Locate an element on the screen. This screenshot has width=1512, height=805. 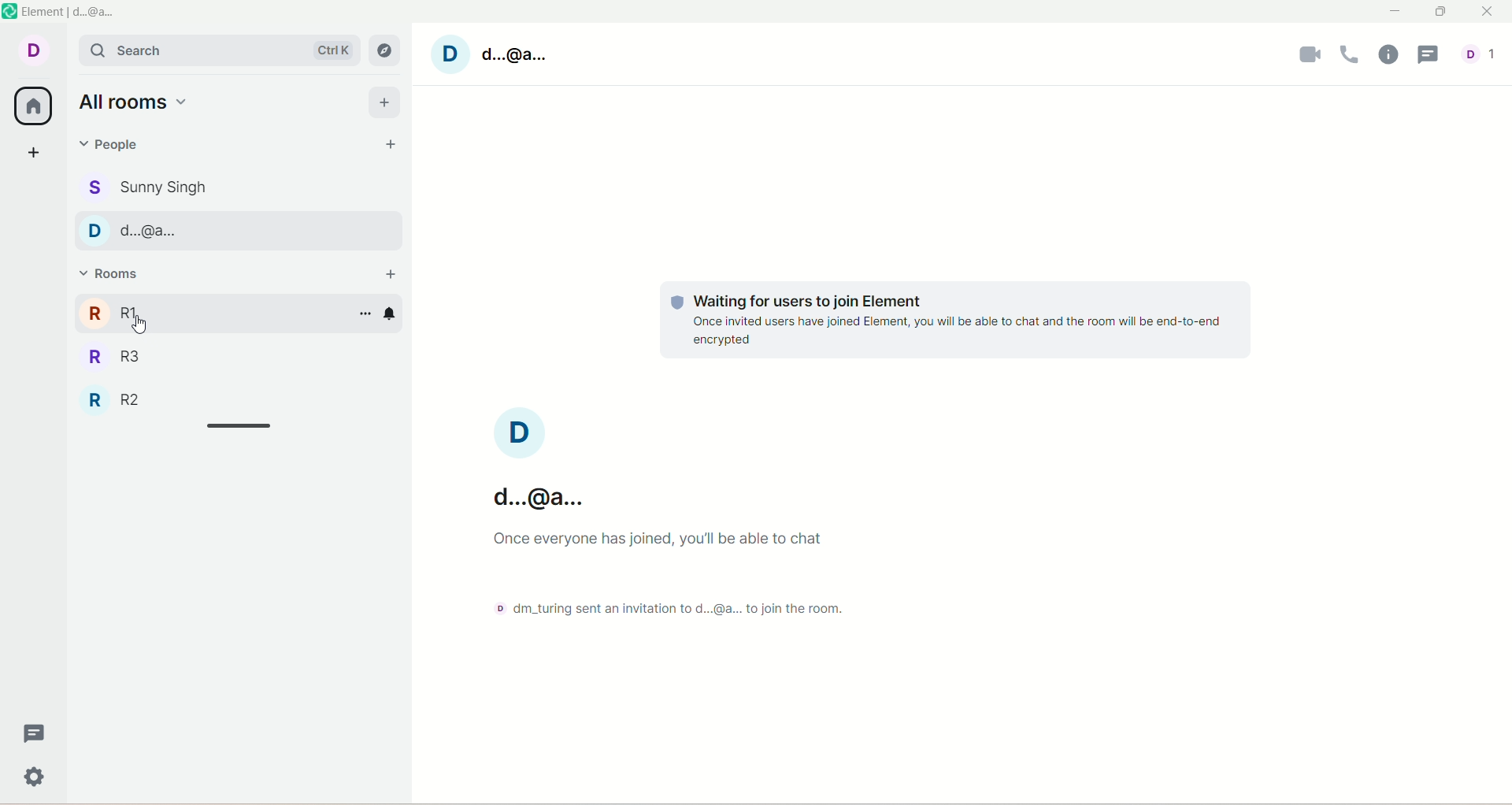
Account is located at coordinates (497, 57).